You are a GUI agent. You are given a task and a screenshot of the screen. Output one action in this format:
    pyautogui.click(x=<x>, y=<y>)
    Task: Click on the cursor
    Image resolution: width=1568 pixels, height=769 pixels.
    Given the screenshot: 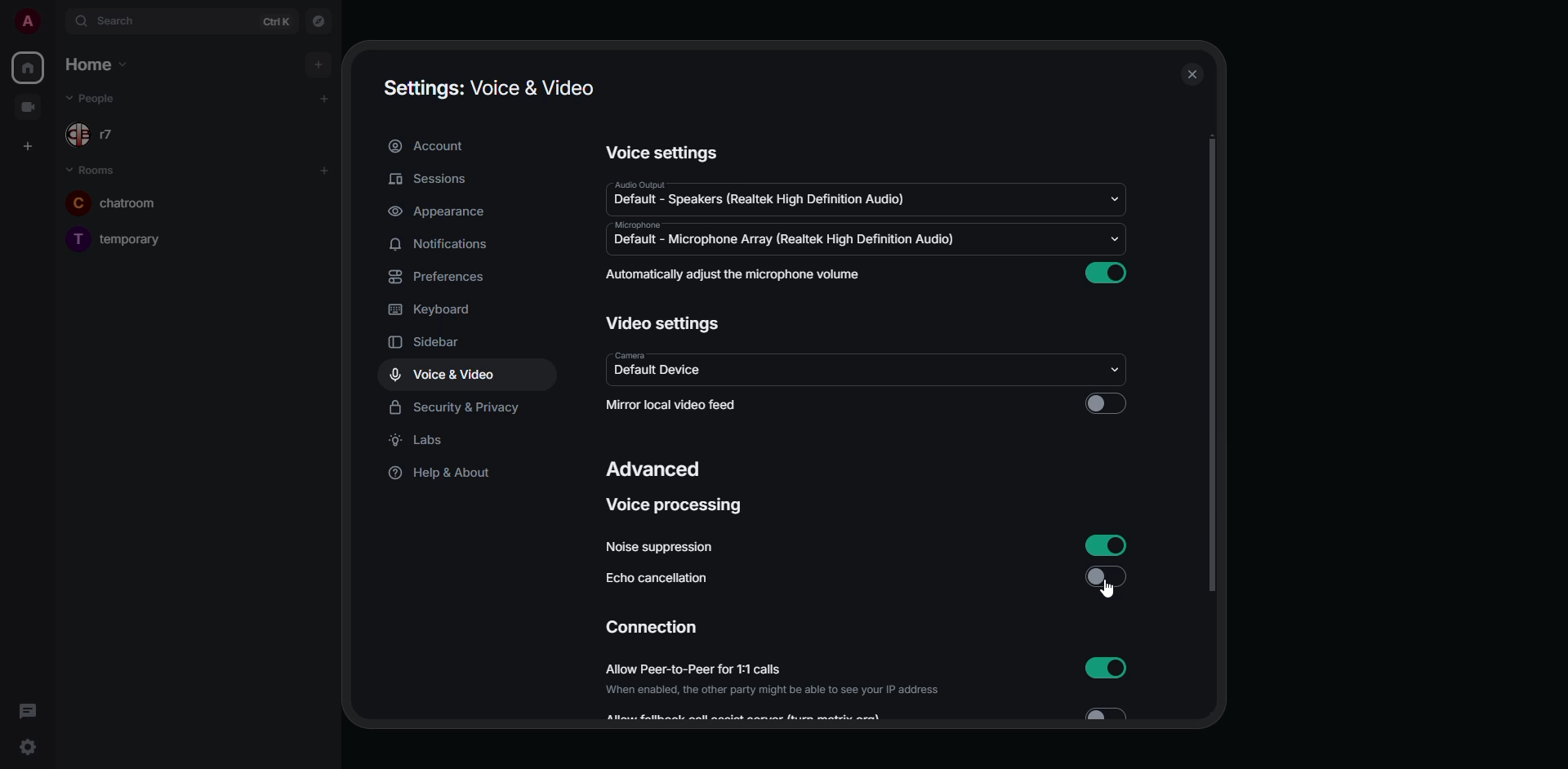 What is the action you would take?
    pyautogui.click(x=1116, y=587)
    